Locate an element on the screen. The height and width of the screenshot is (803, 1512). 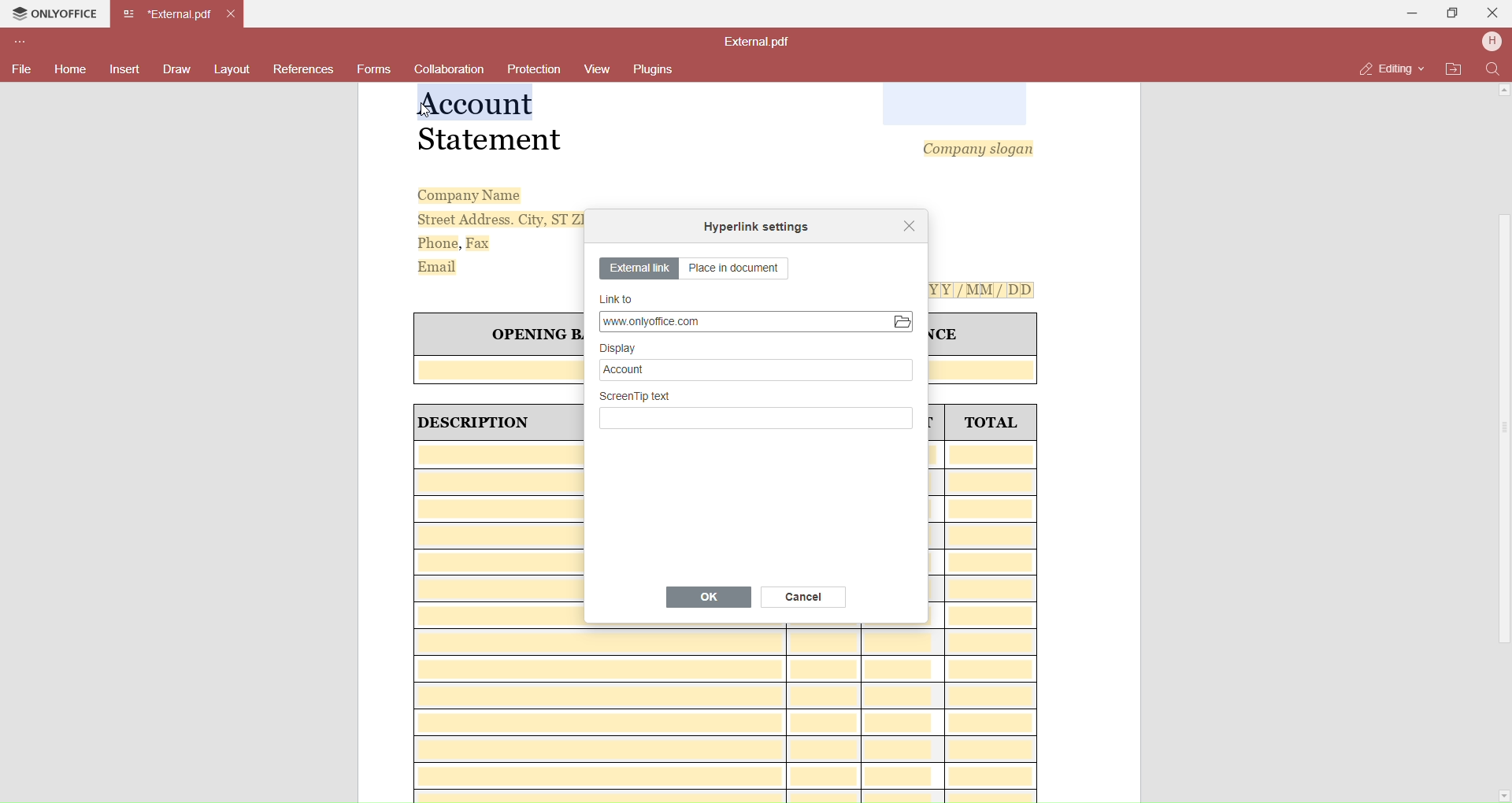
External link is located at coordinates (639, 268).